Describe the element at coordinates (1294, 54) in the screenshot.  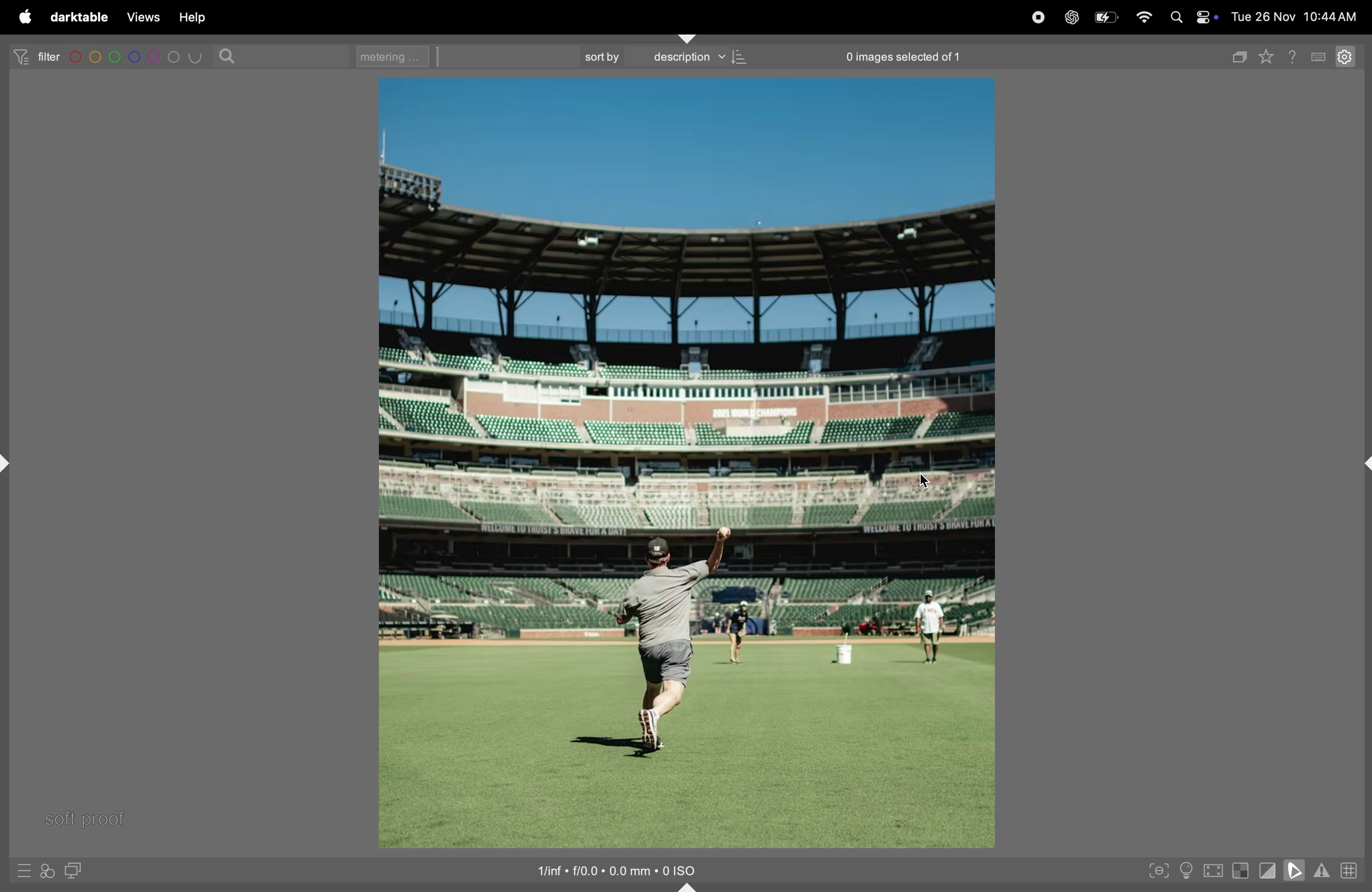
I see `help` at that location.